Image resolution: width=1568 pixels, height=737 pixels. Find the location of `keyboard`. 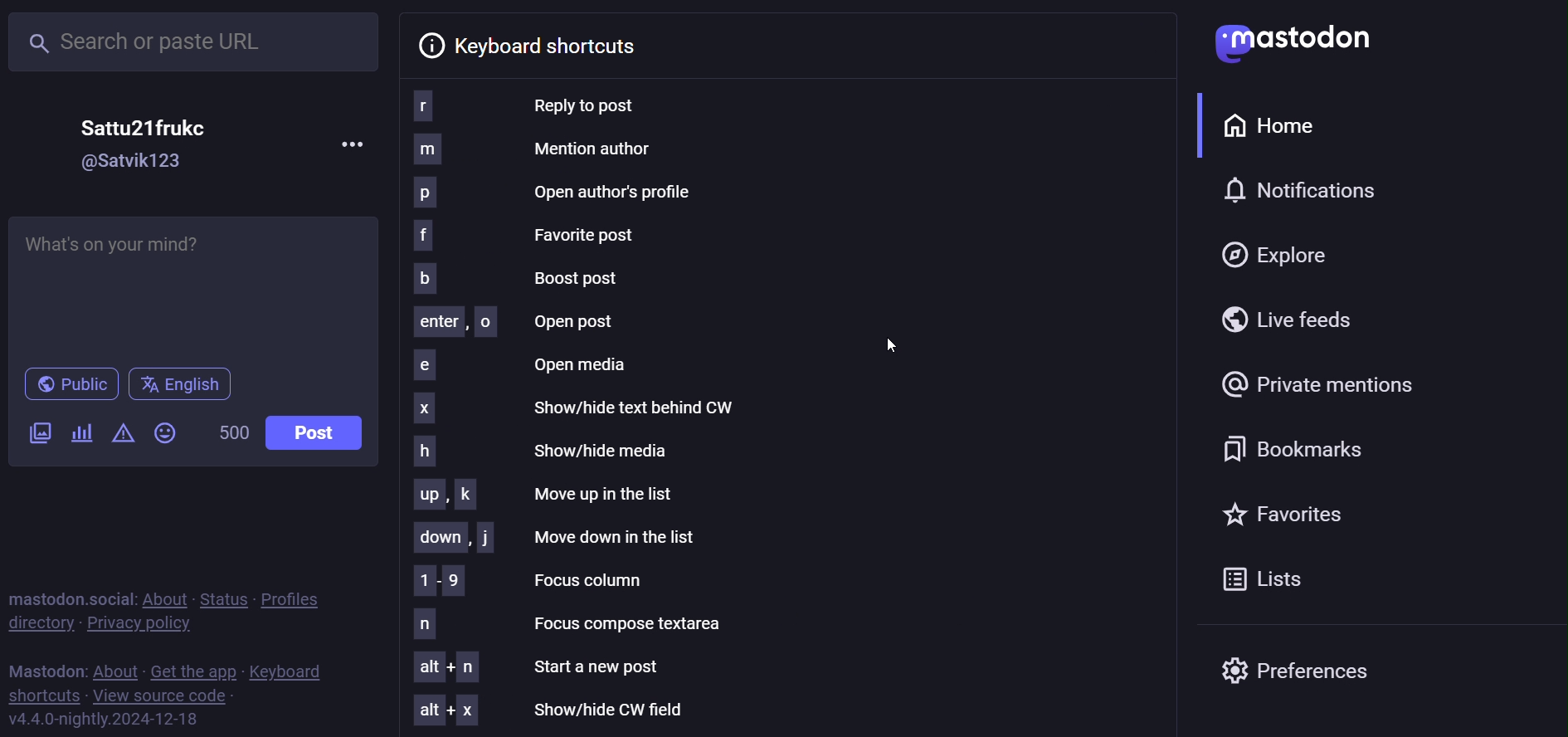

keyboard is located at coordinates (289, 670).